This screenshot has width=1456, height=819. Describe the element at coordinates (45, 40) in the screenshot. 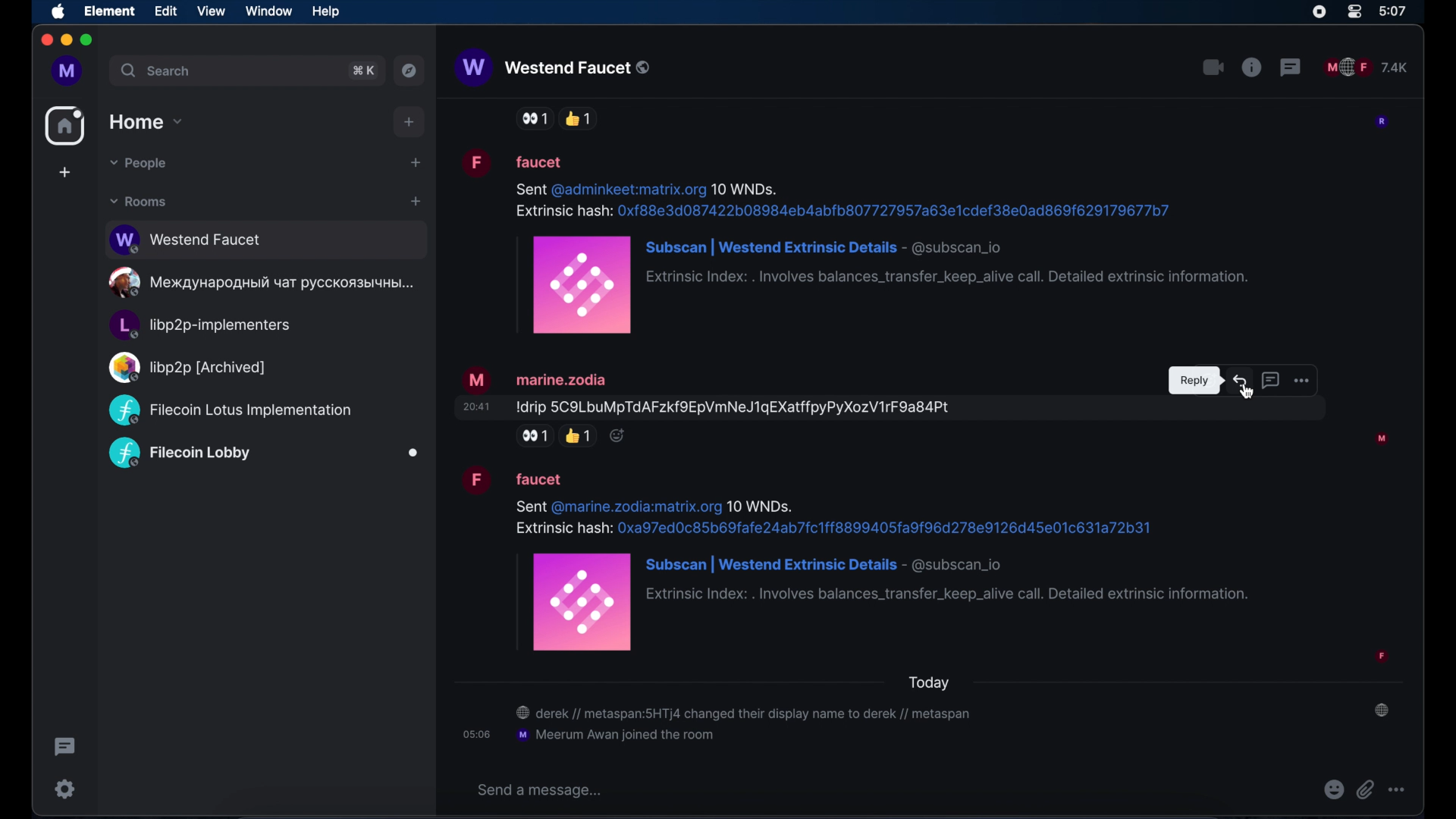

I see `close` at that location.